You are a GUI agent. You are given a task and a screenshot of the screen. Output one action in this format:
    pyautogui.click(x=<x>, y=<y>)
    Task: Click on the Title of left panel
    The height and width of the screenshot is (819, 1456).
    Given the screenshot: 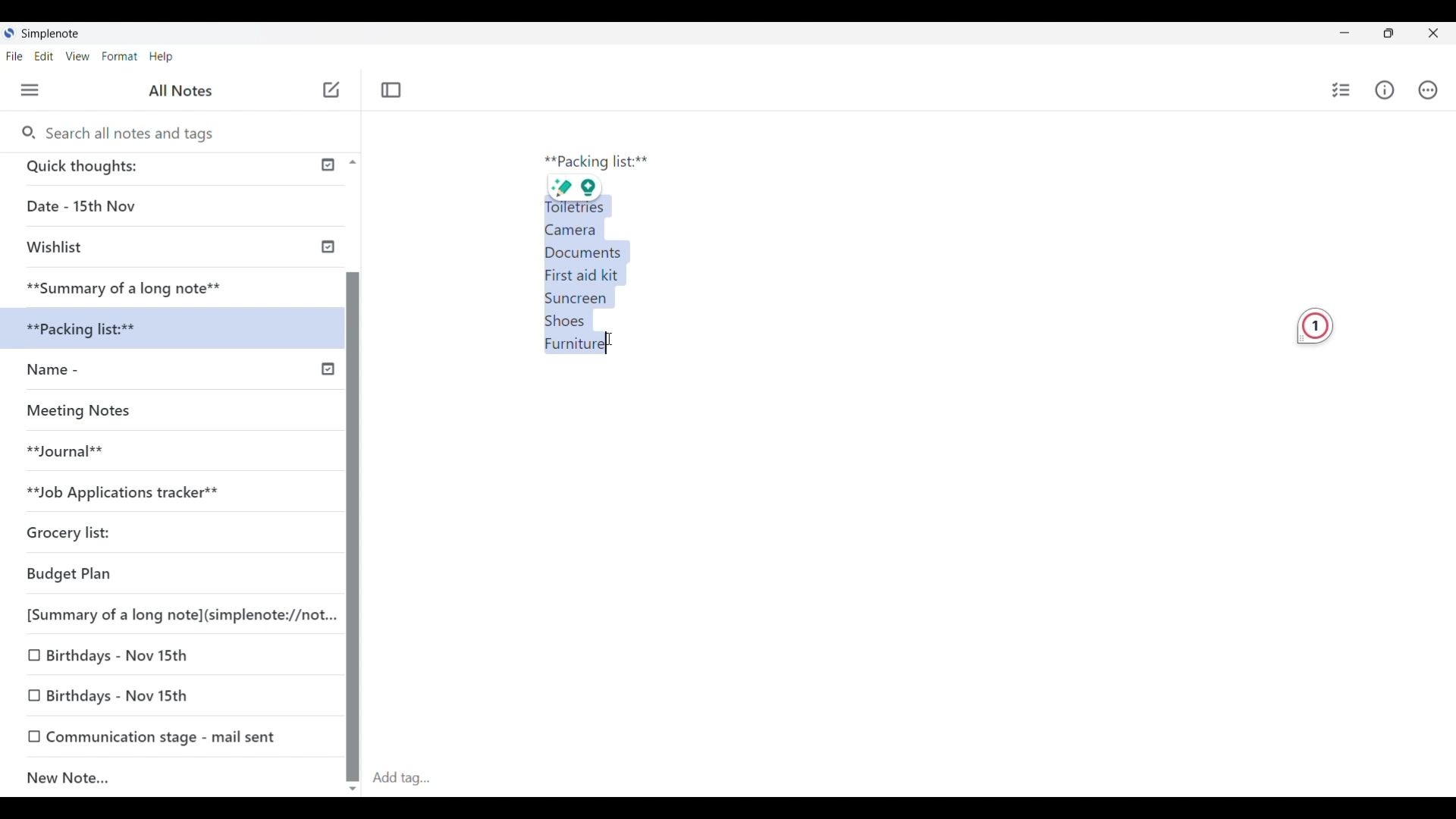 What is the action you would take?
    pyautogui.click(x=183, y=89)
    